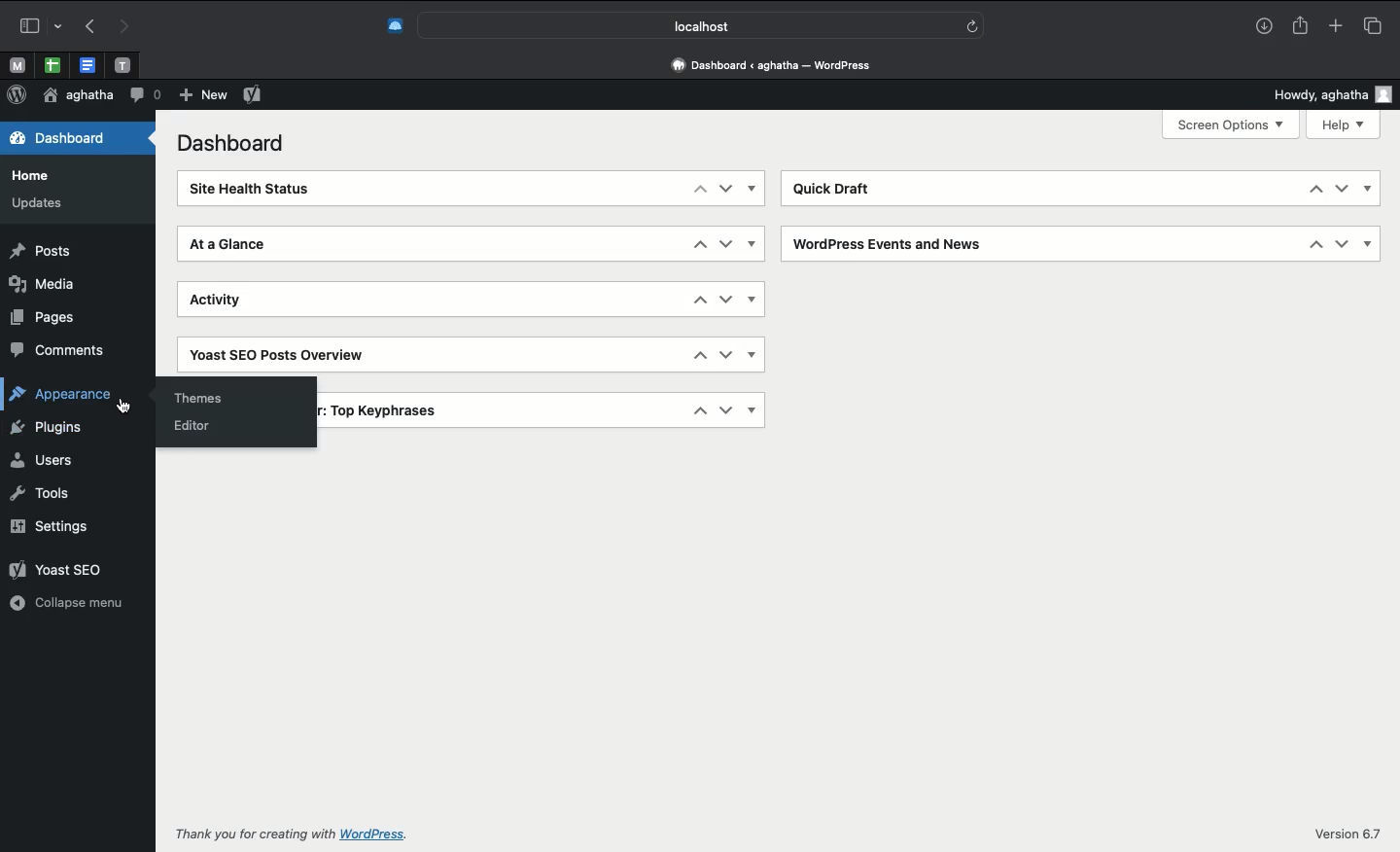  Describe the element at coordinates (200, 396) in the screenshot. I see `Themes` at that location.